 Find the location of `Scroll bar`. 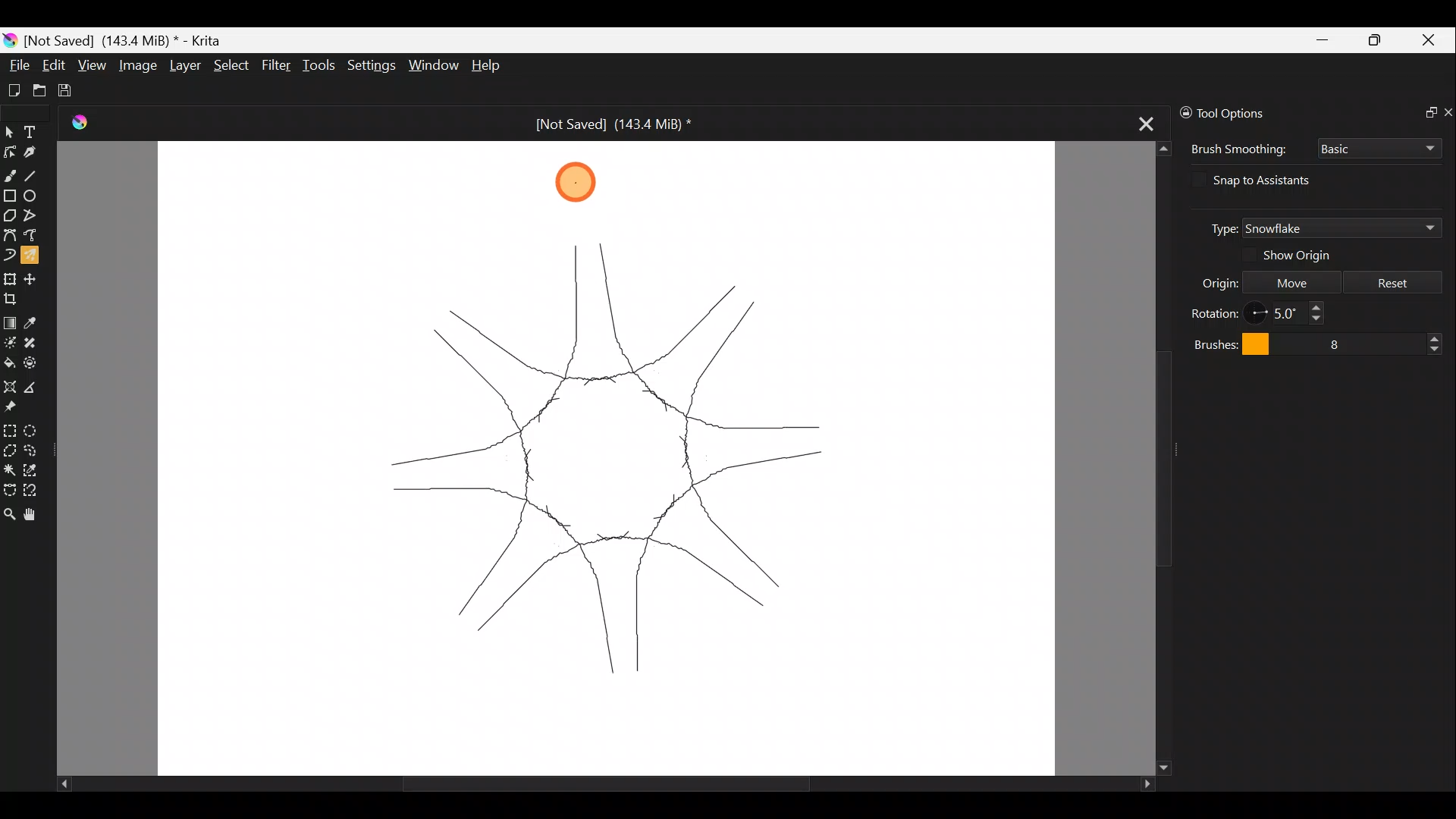

Scroll bar is located at coordinates (581, 783).